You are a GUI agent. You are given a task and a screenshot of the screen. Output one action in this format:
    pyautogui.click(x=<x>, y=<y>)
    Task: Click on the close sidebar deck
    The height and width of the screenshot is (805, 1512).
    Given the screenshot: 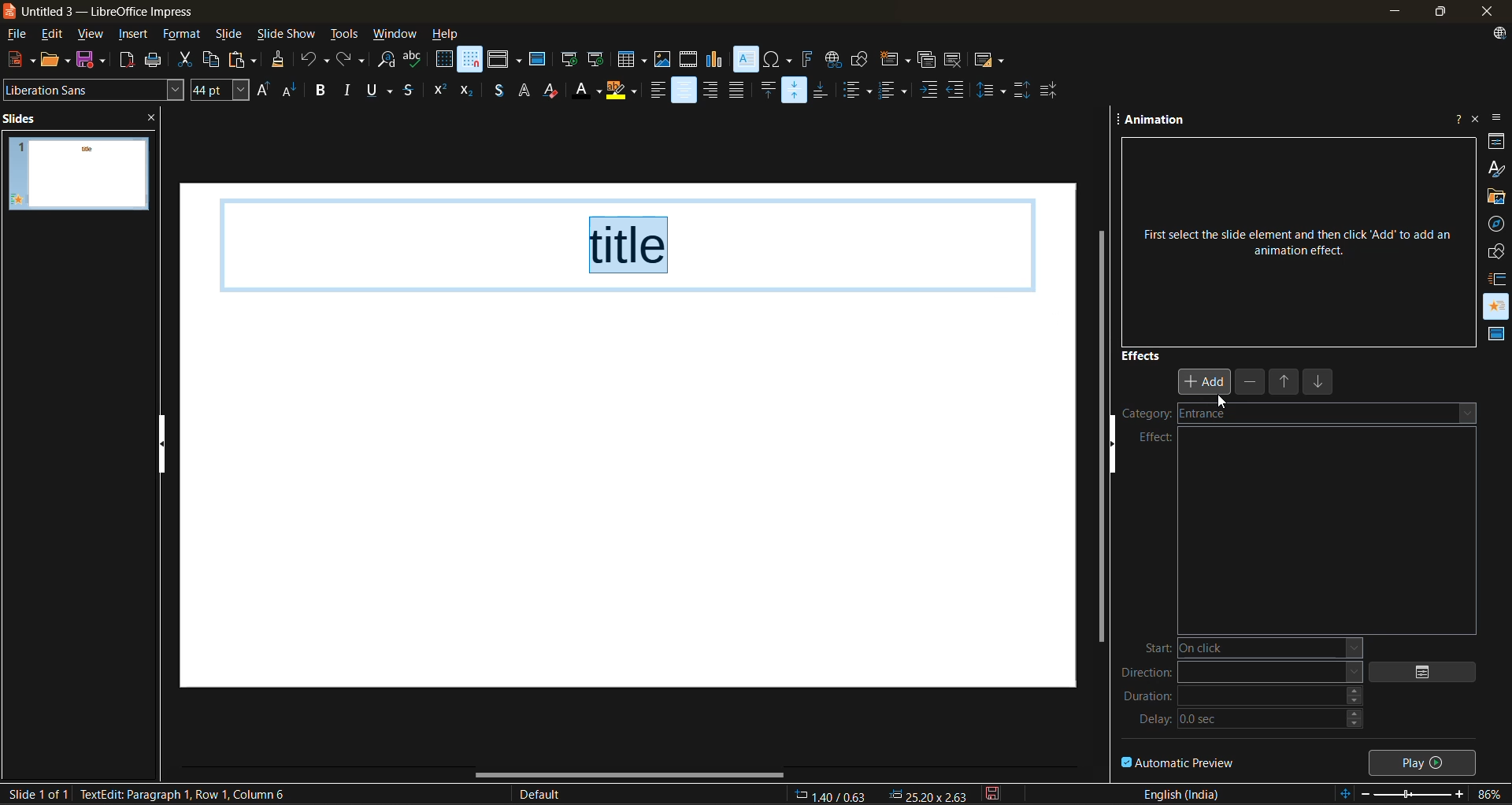 What is the action you would take?
    pyautogui.click(x=1477, y=117)
    